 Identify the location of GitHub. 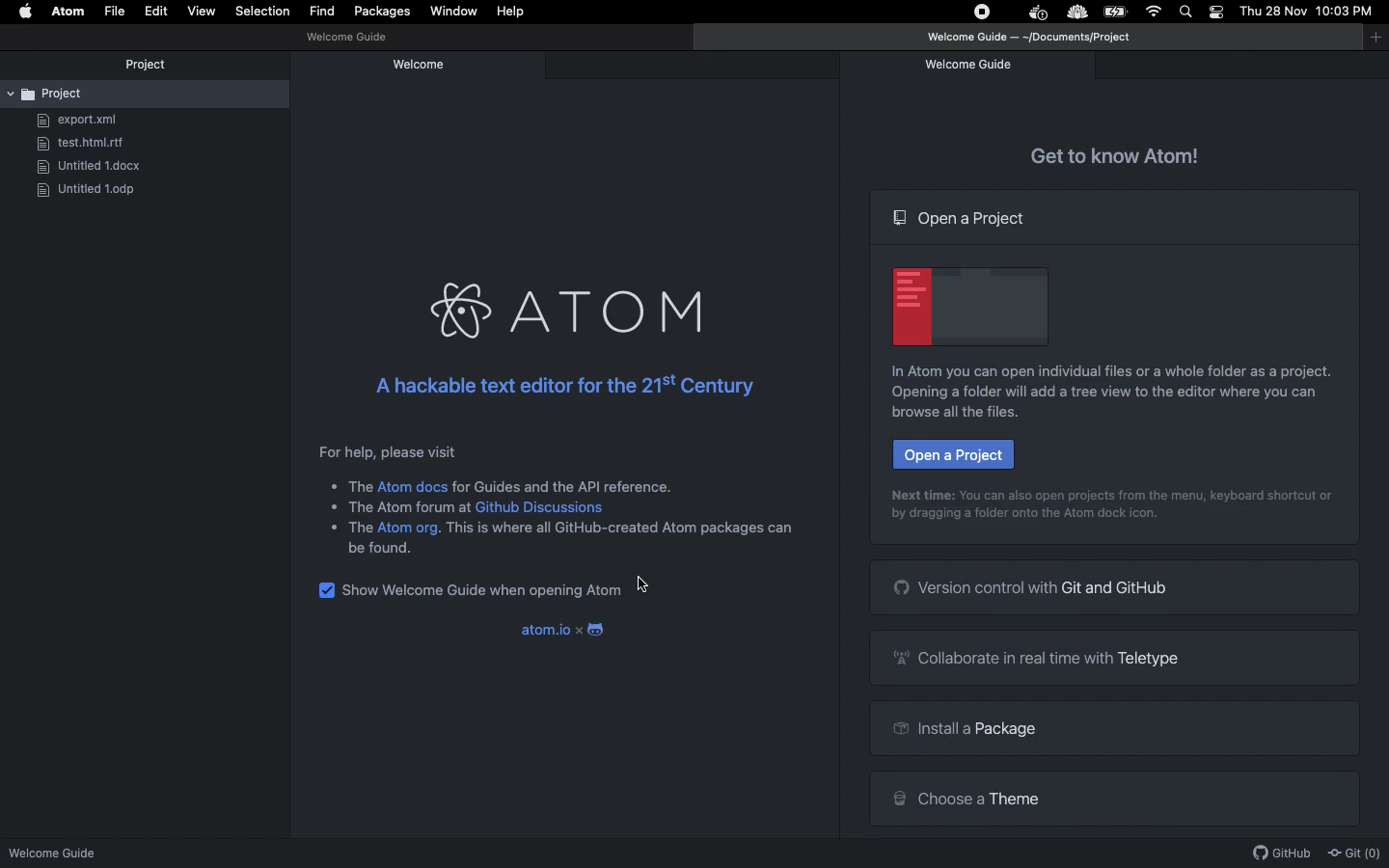
(1281, 854).